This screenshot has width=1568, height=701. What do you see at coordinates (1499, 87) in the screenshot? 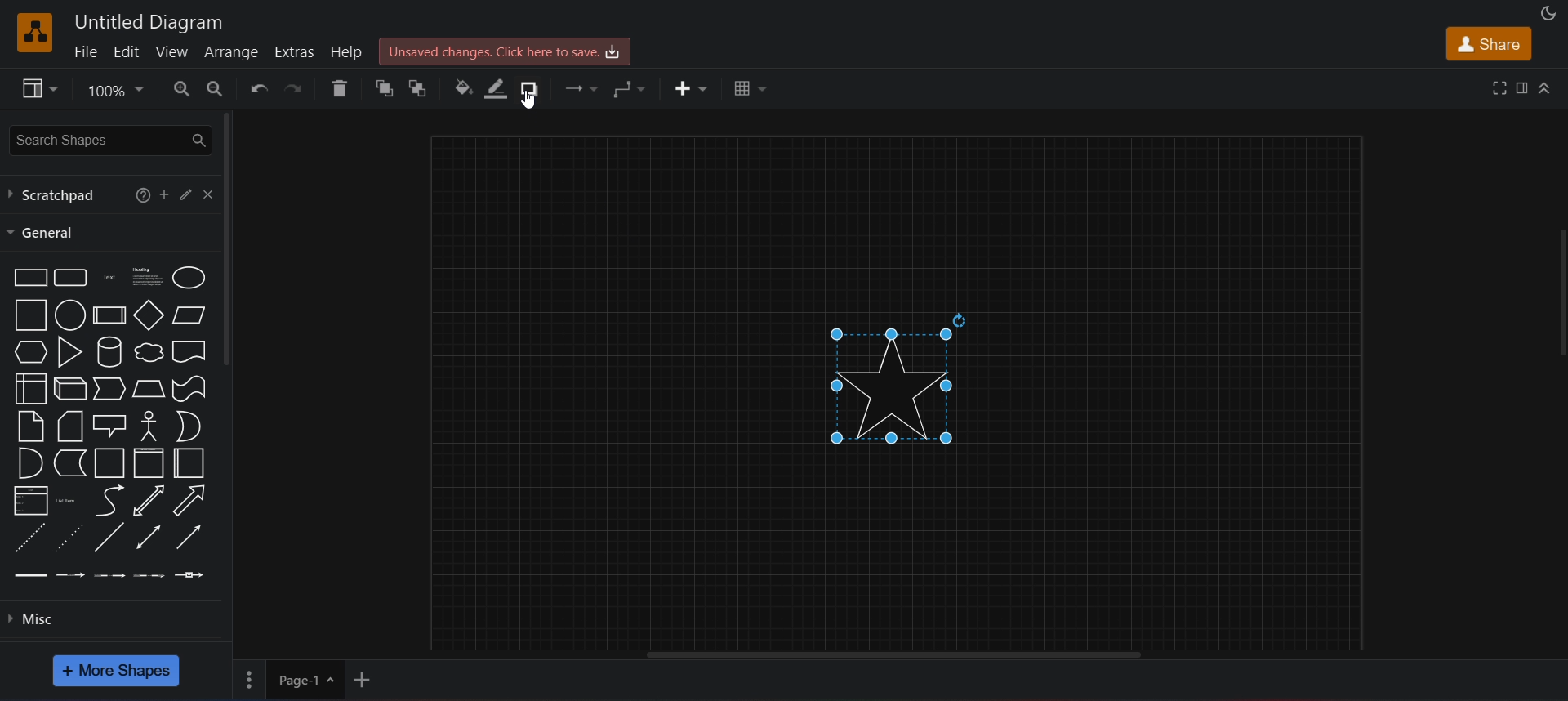
I see `fullscreen` at bounding box center [1499, 87].